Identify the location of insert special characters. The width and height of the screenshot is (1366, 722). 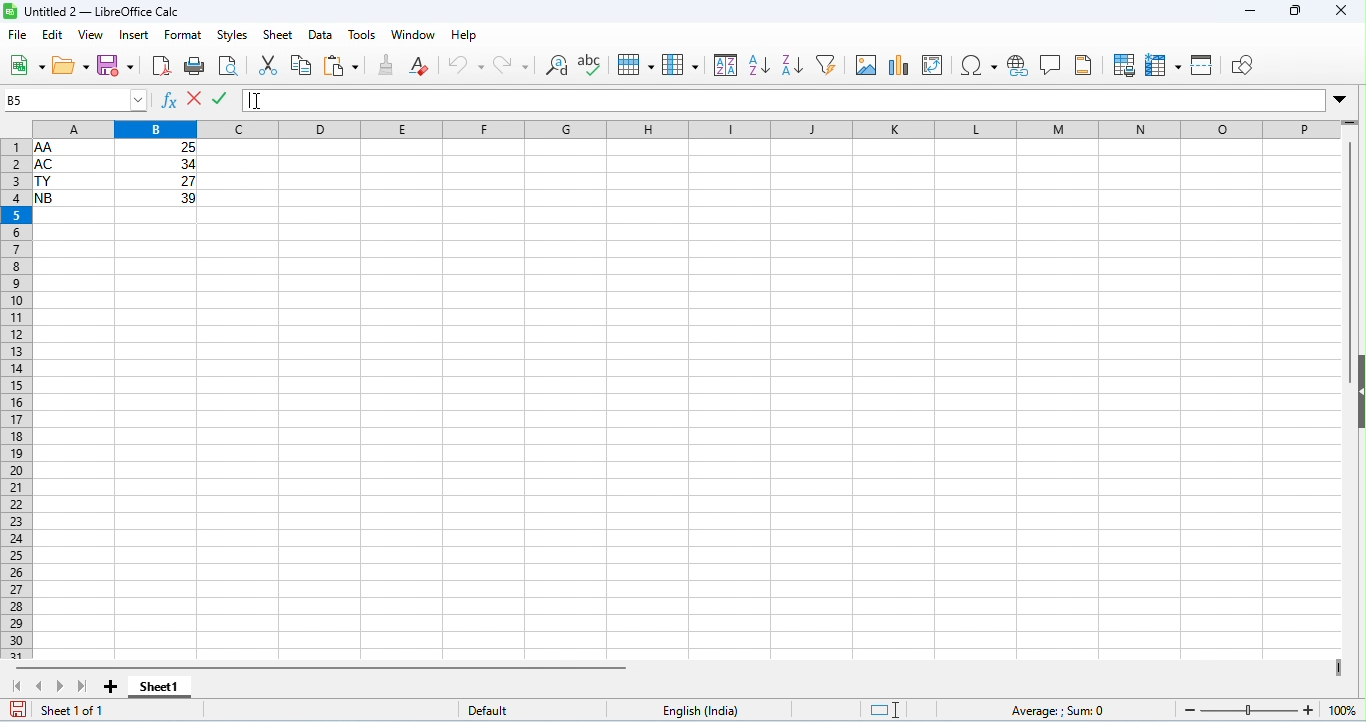
(978, 66).